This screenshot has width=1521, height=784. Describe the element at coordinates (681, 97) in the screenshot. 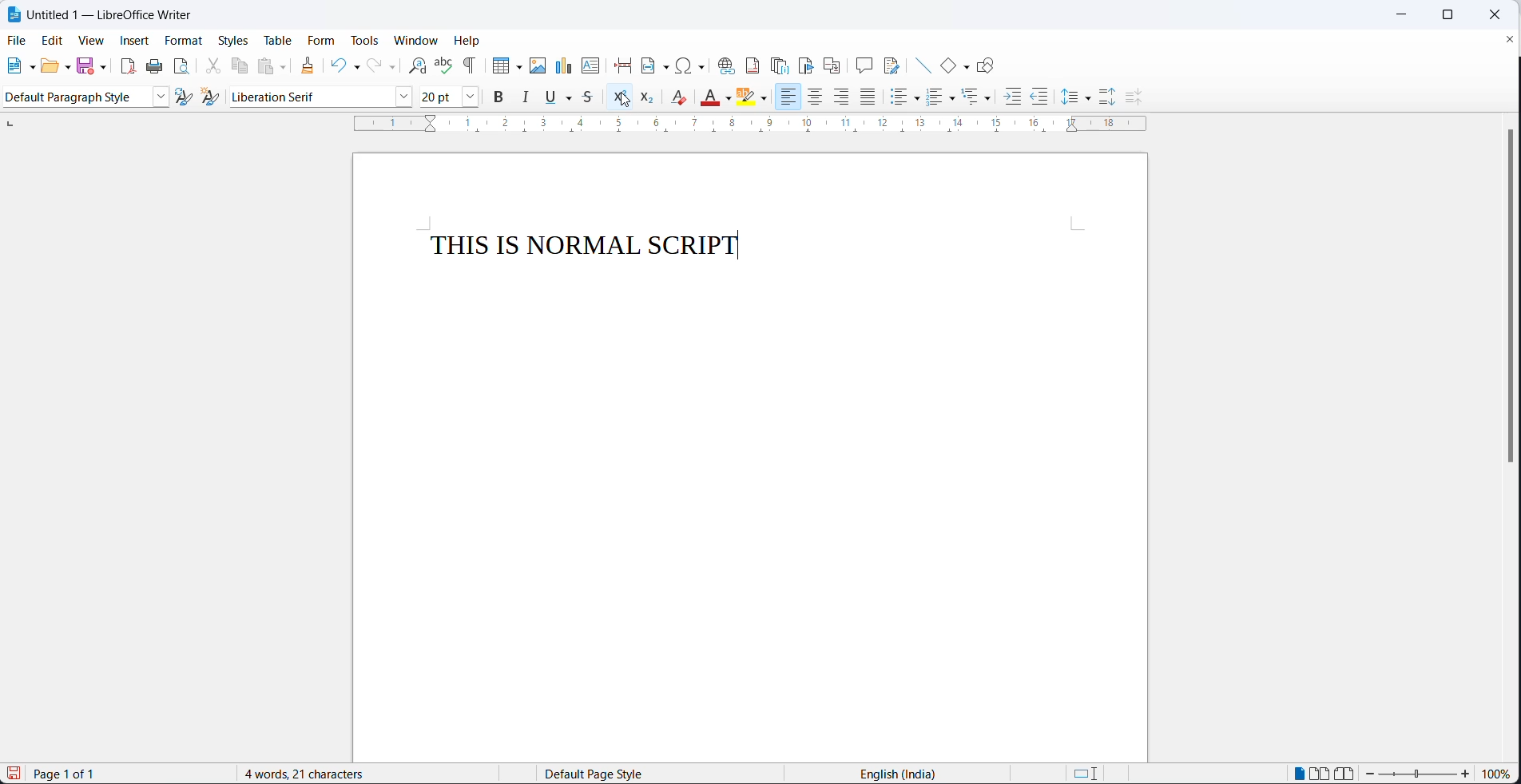

I see `clear direct formatting ` at that location.